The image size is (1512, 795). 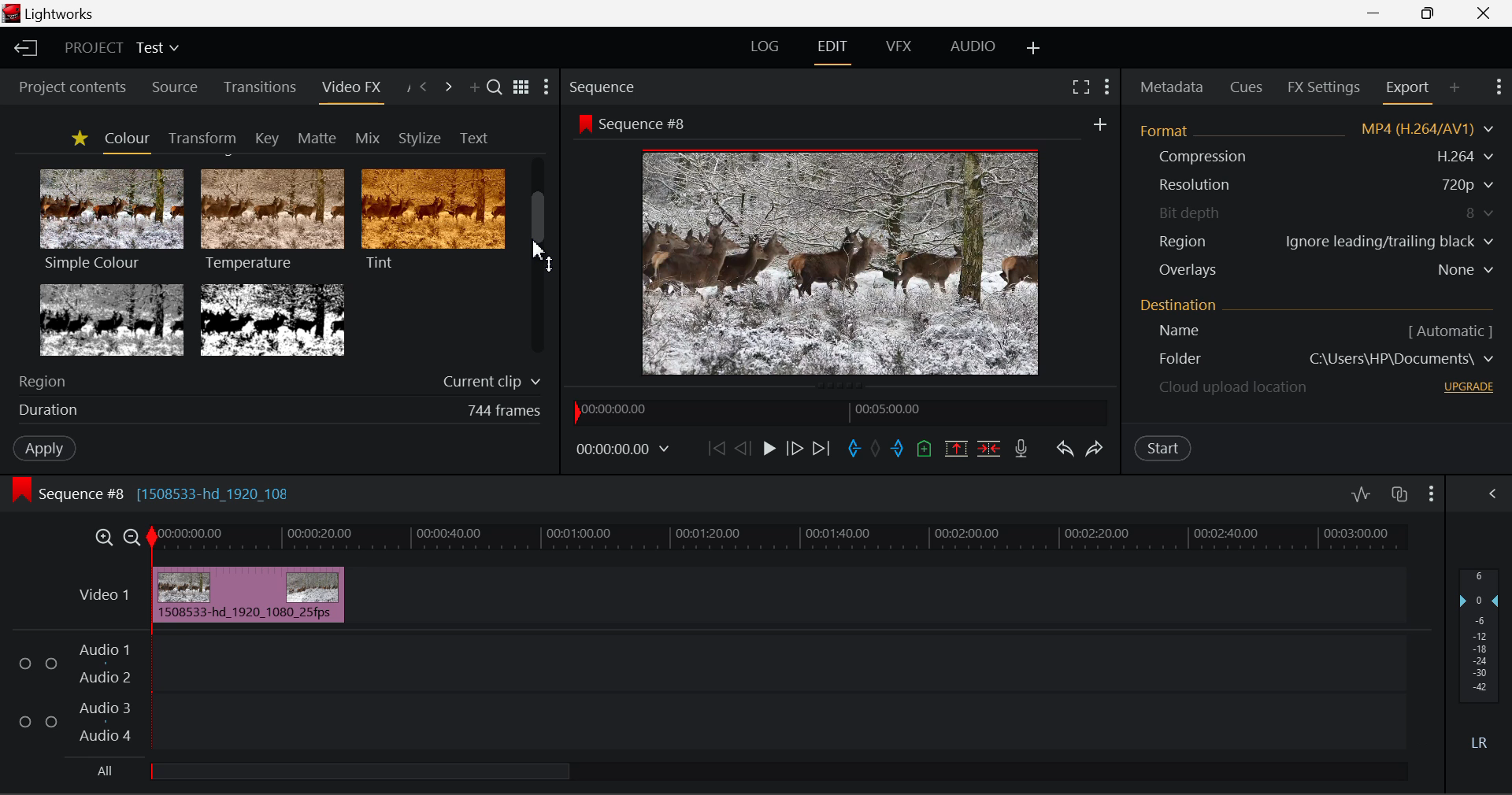 I want to click on 744 frames, so click(x=504, y=411).